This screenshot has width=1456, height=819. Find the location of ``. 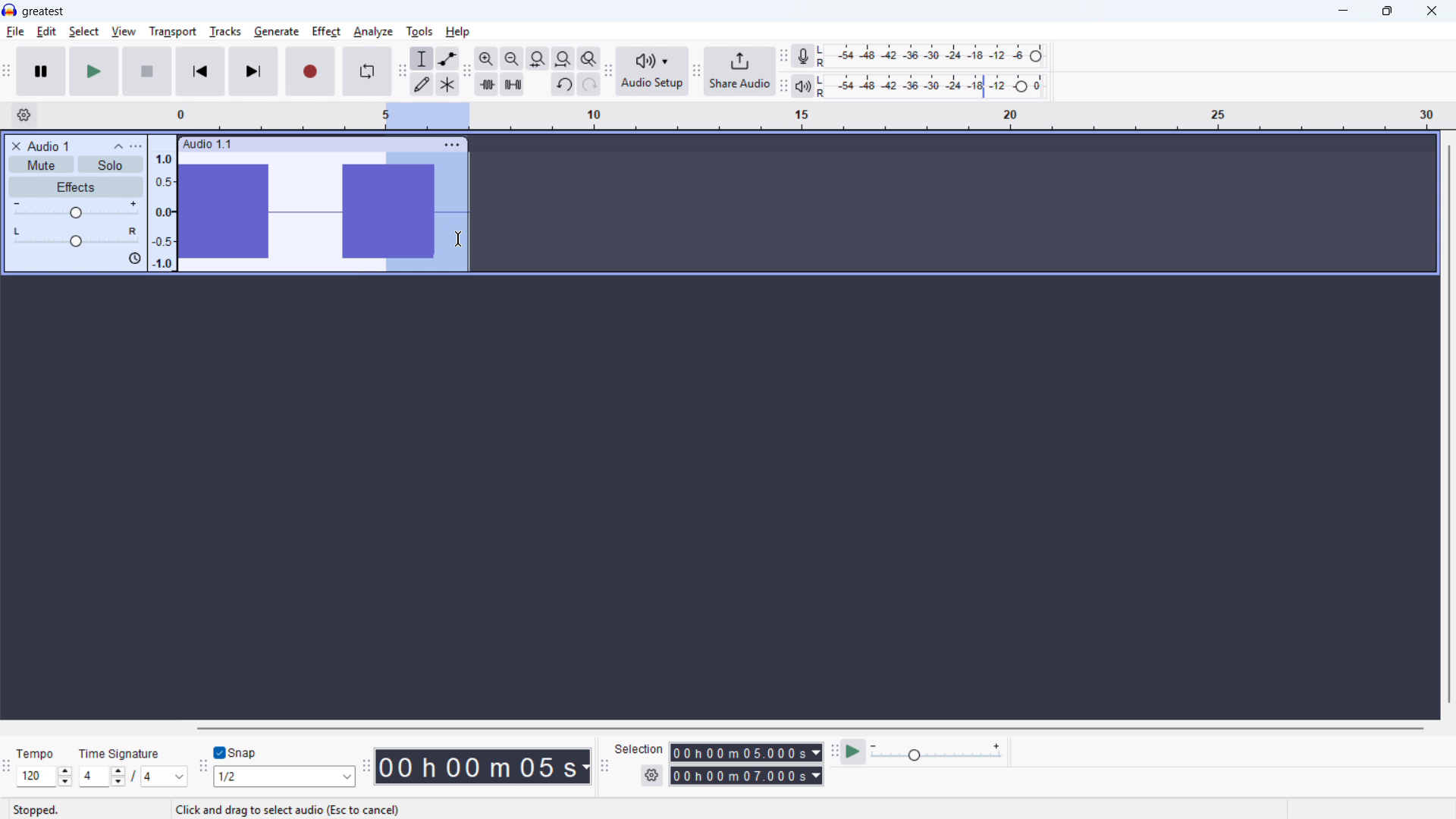

 is located at coordinates (325, 727).